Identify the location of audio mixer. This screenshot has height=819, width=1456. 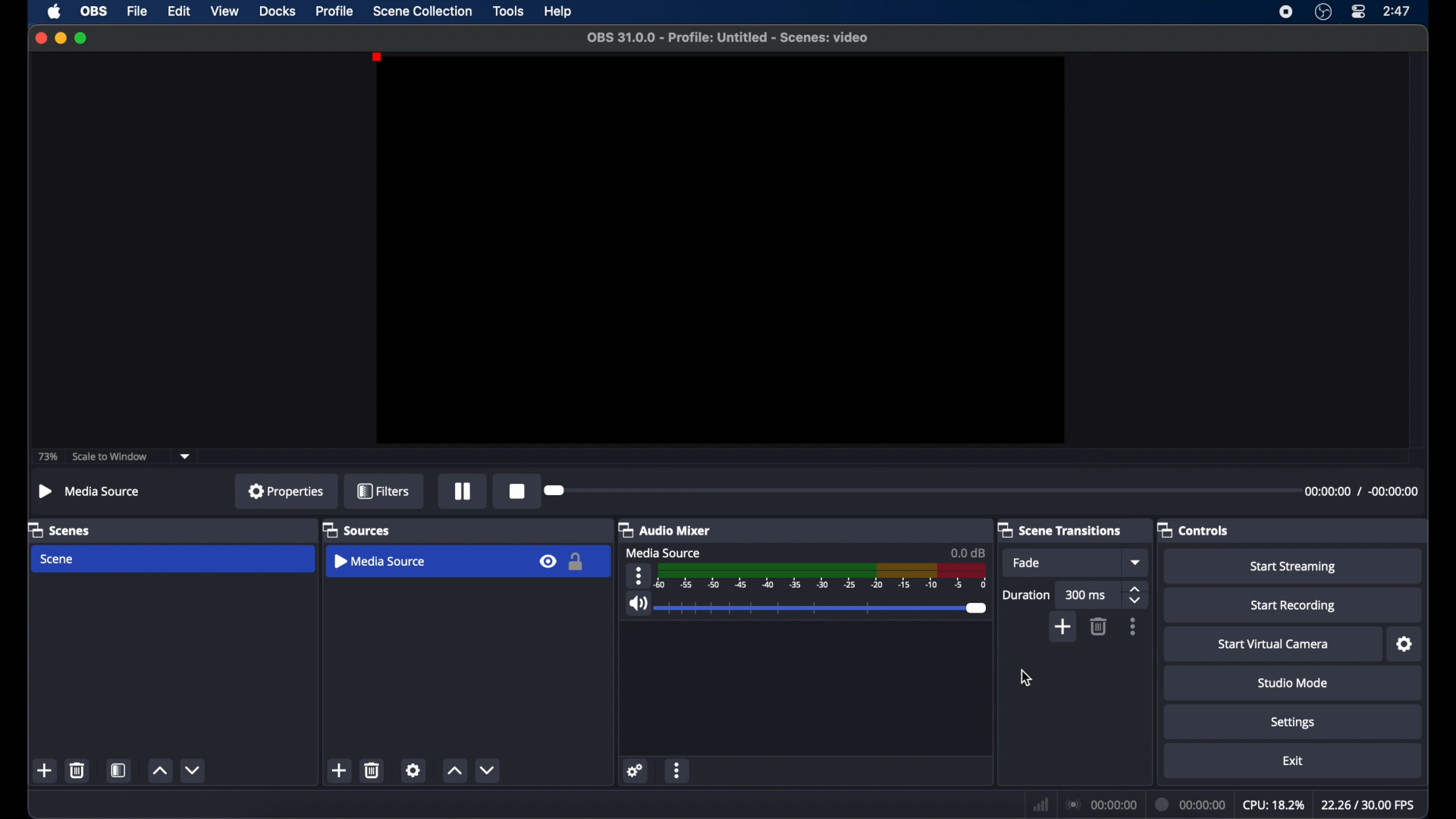
(664, 529).